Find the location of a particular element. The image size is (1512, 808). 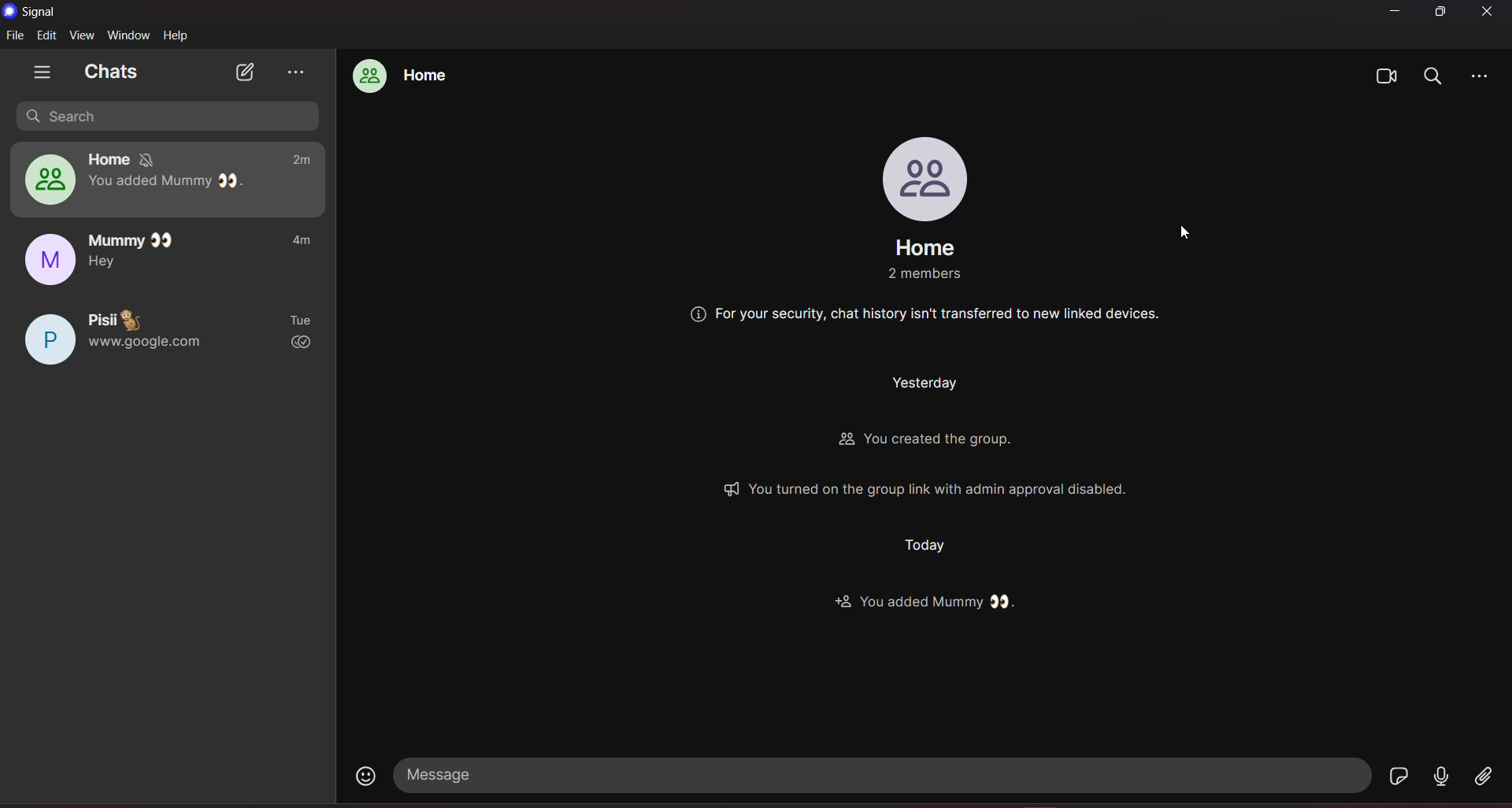

home is located at coordinates (113, 156).